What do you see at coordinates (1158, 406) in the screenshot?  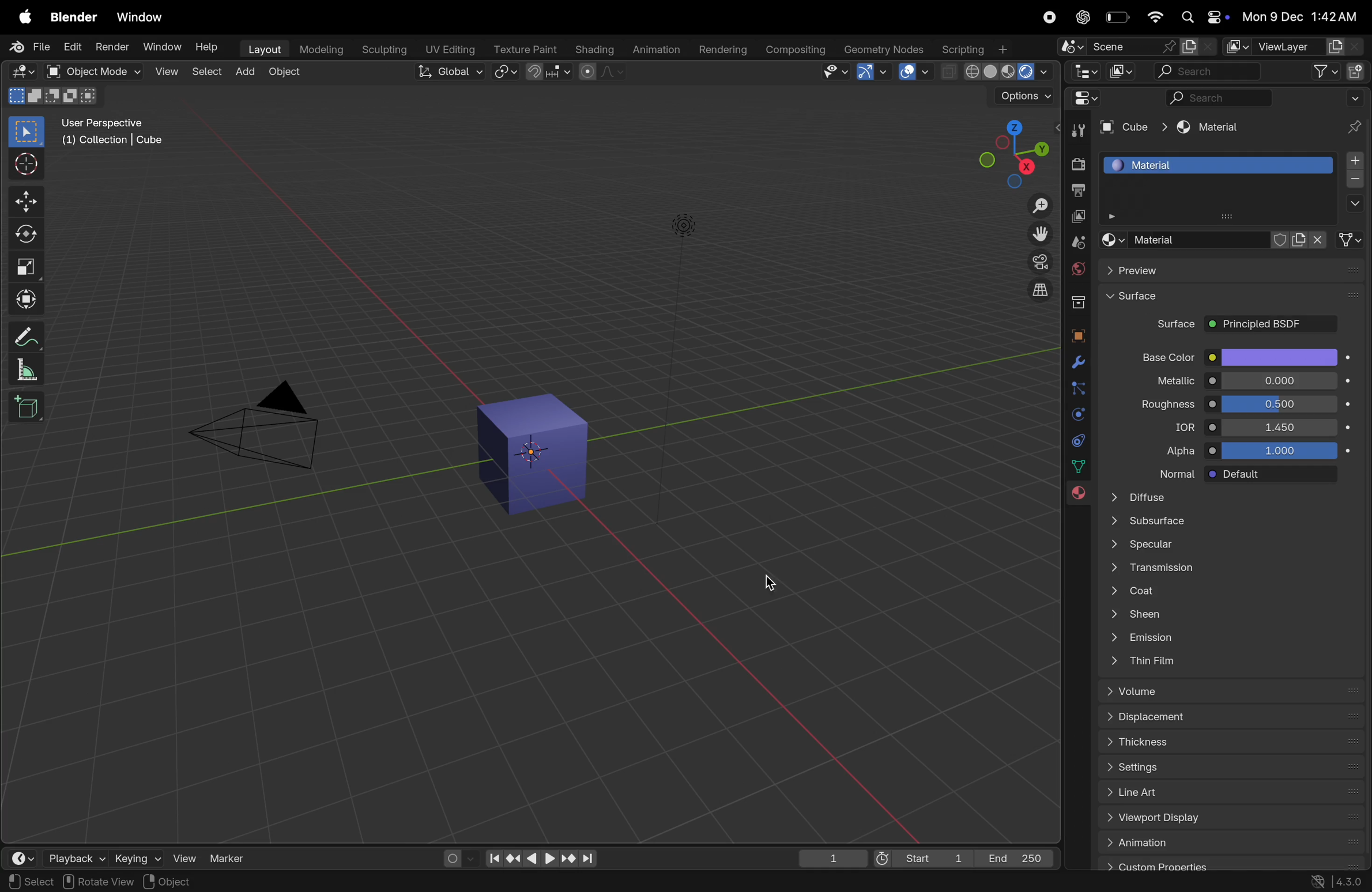 I see `roughness` at bounding box center [1158, 406].